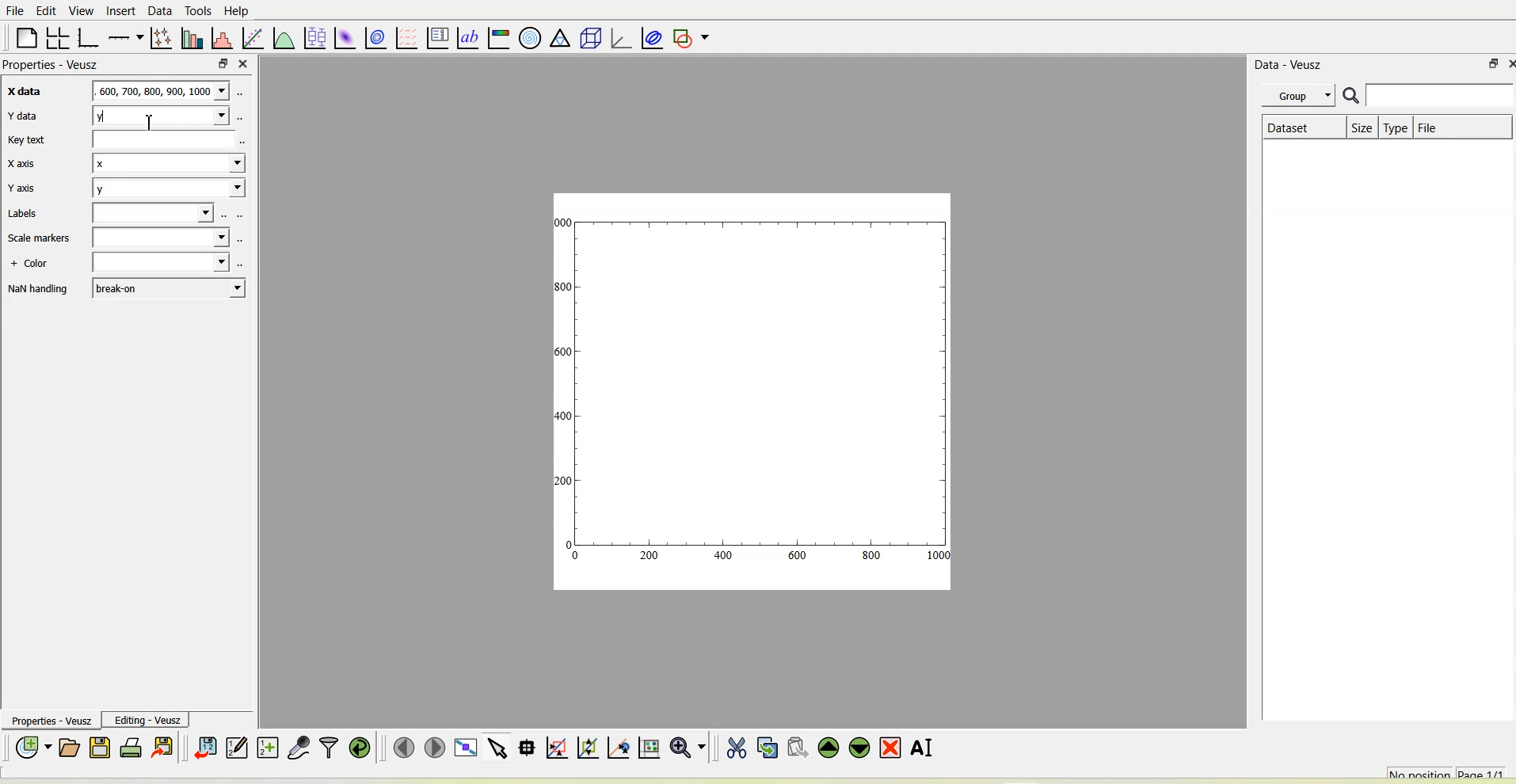 This screenshot has height=784, width=1516. Describe the element at coordinates (154, 212) in the screenshot. I see `Blank` at that location.